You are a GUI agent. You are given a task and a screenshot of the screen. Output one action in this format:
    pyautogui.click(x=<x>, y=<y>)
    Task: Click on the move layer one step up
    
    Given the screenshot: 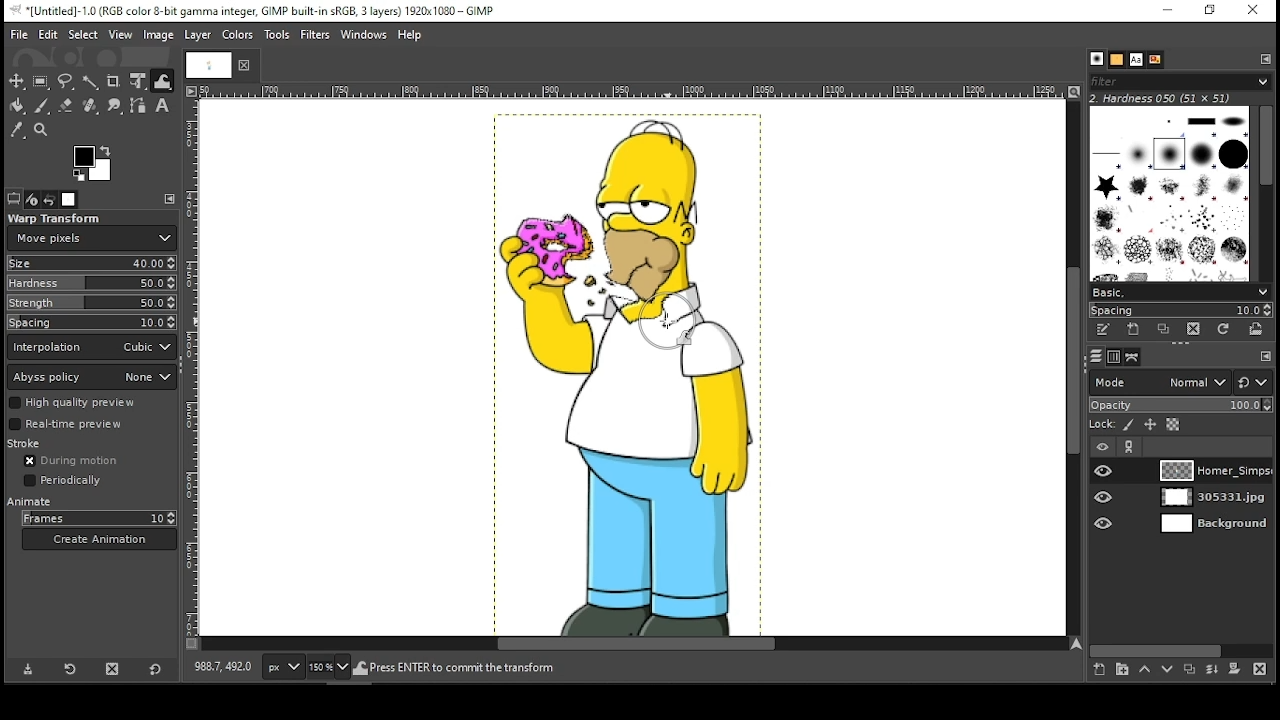 What is the action you would take?
    pyautogui.click(x=1146, y=672)
    